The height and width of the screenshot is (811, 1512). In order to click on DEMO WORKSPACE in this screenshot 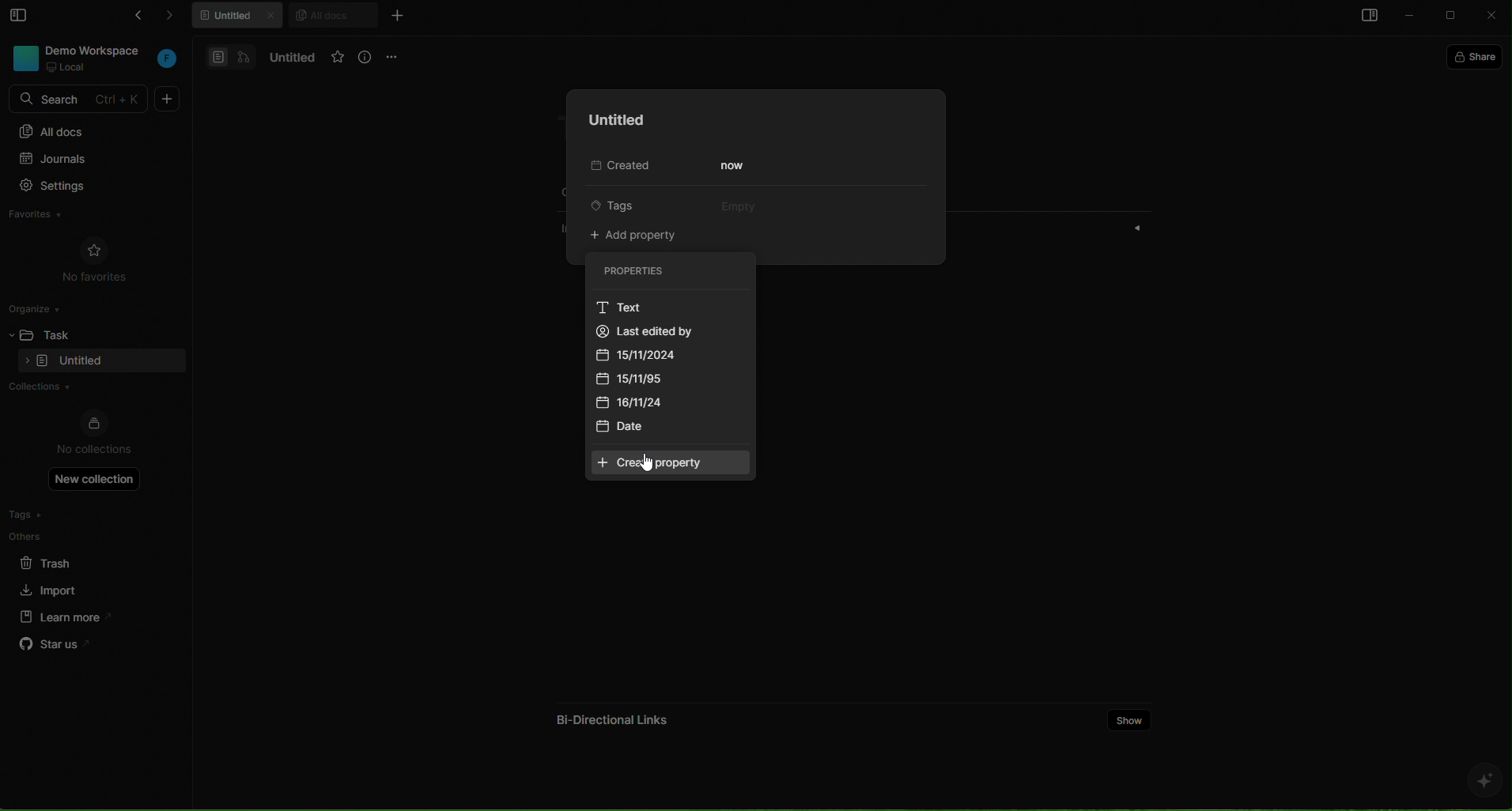, I will do `click(97, 50)`.